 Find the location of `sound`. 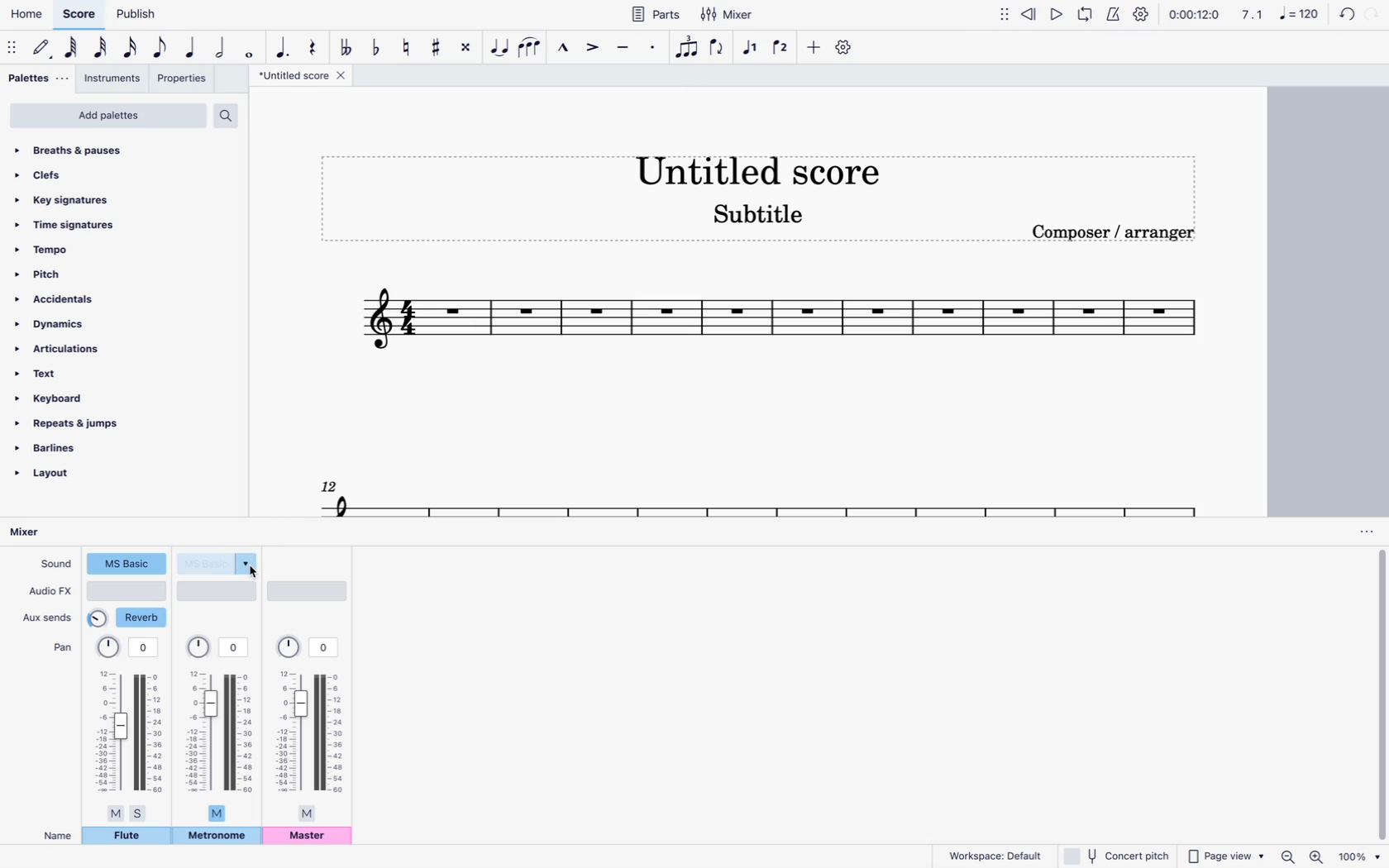

sound is located at coordinates (55, 565).